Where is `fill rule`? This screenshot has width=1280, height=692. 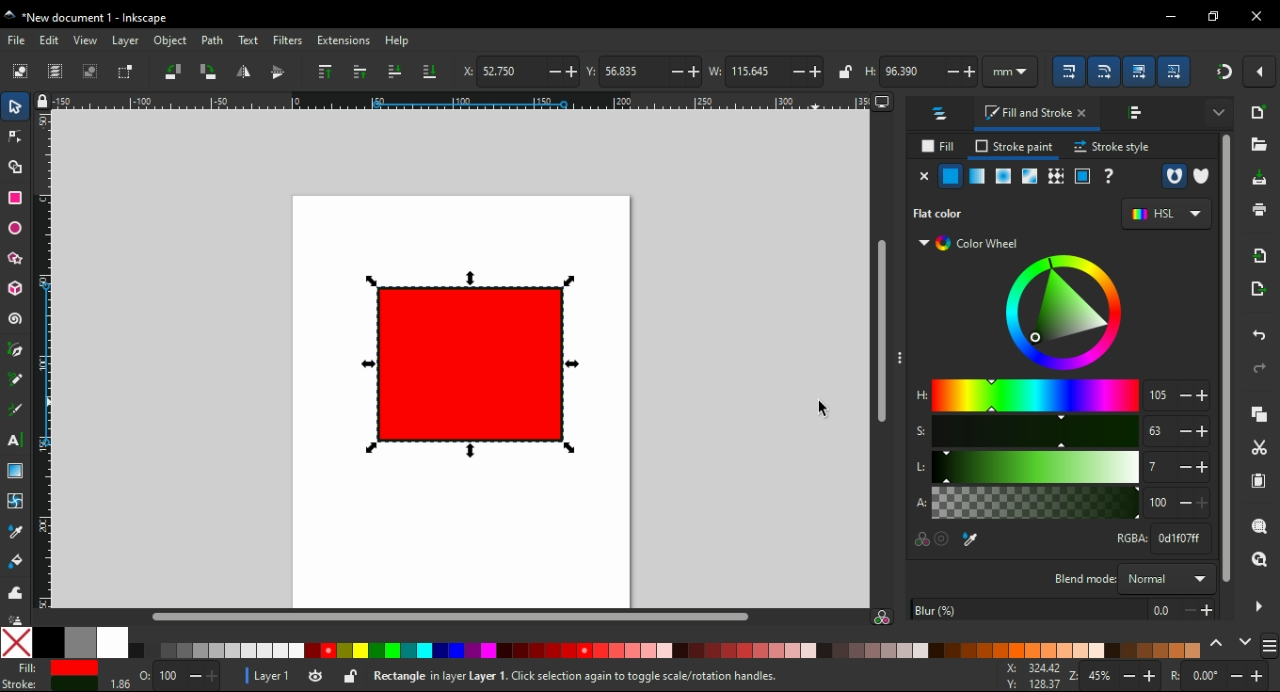 fill rule is located at coordinates (1173, 177).